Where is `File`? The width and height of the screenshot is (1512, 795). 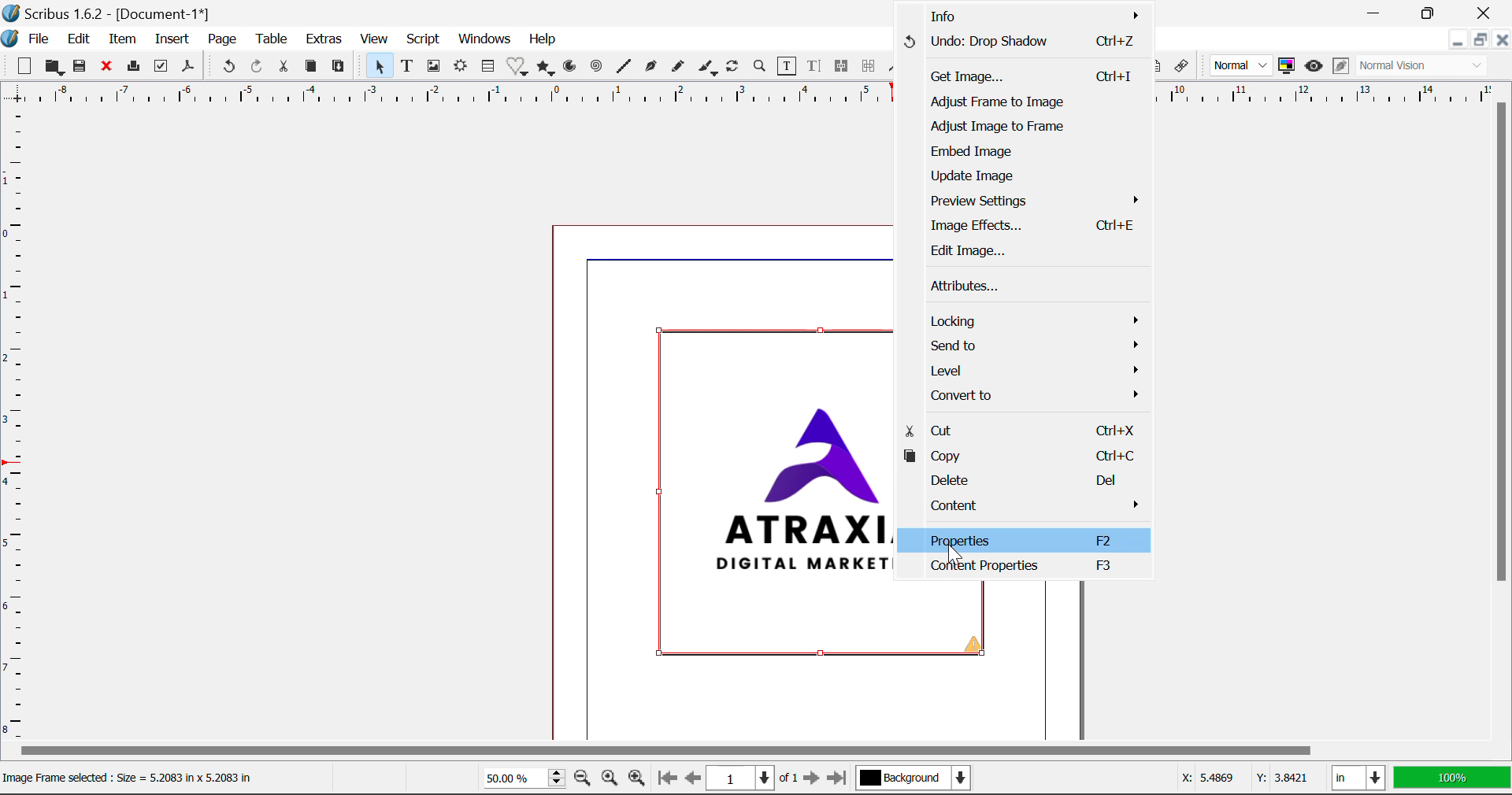 File is located at coordinates (39, 39).